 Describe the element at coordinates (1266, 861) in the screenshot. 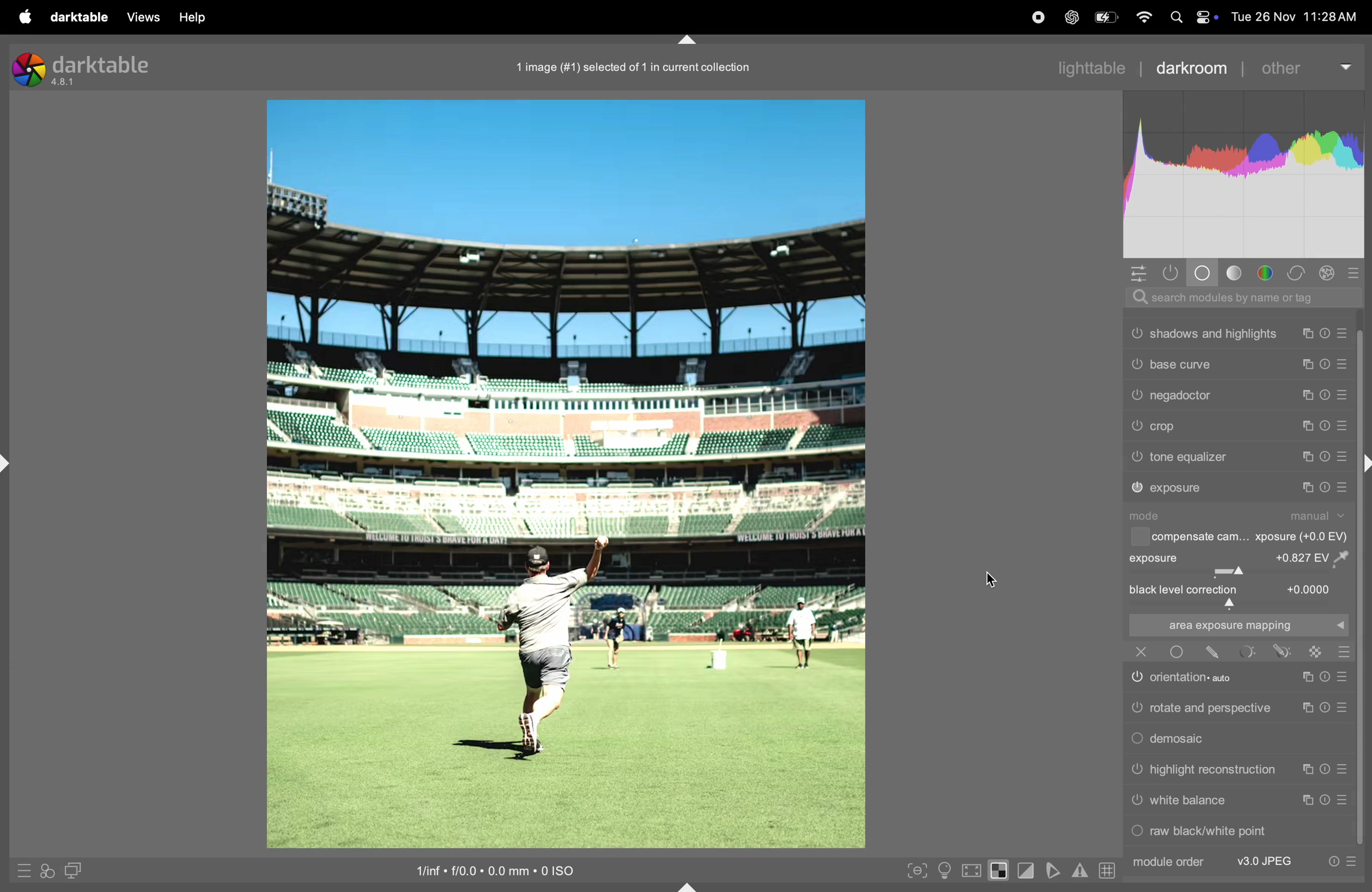

I see `  jpeg` at that location.